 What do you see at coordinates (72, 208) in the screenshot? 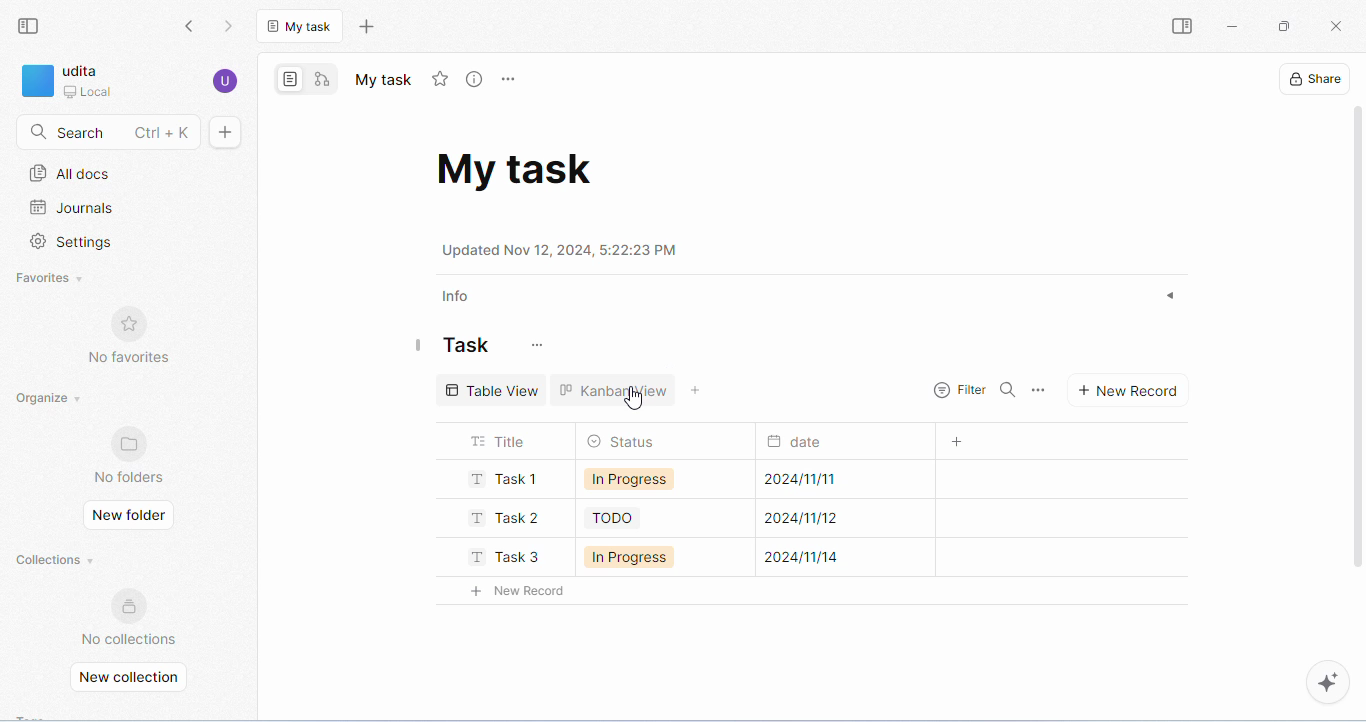
I see `journals` at bounding box center [72, 208].